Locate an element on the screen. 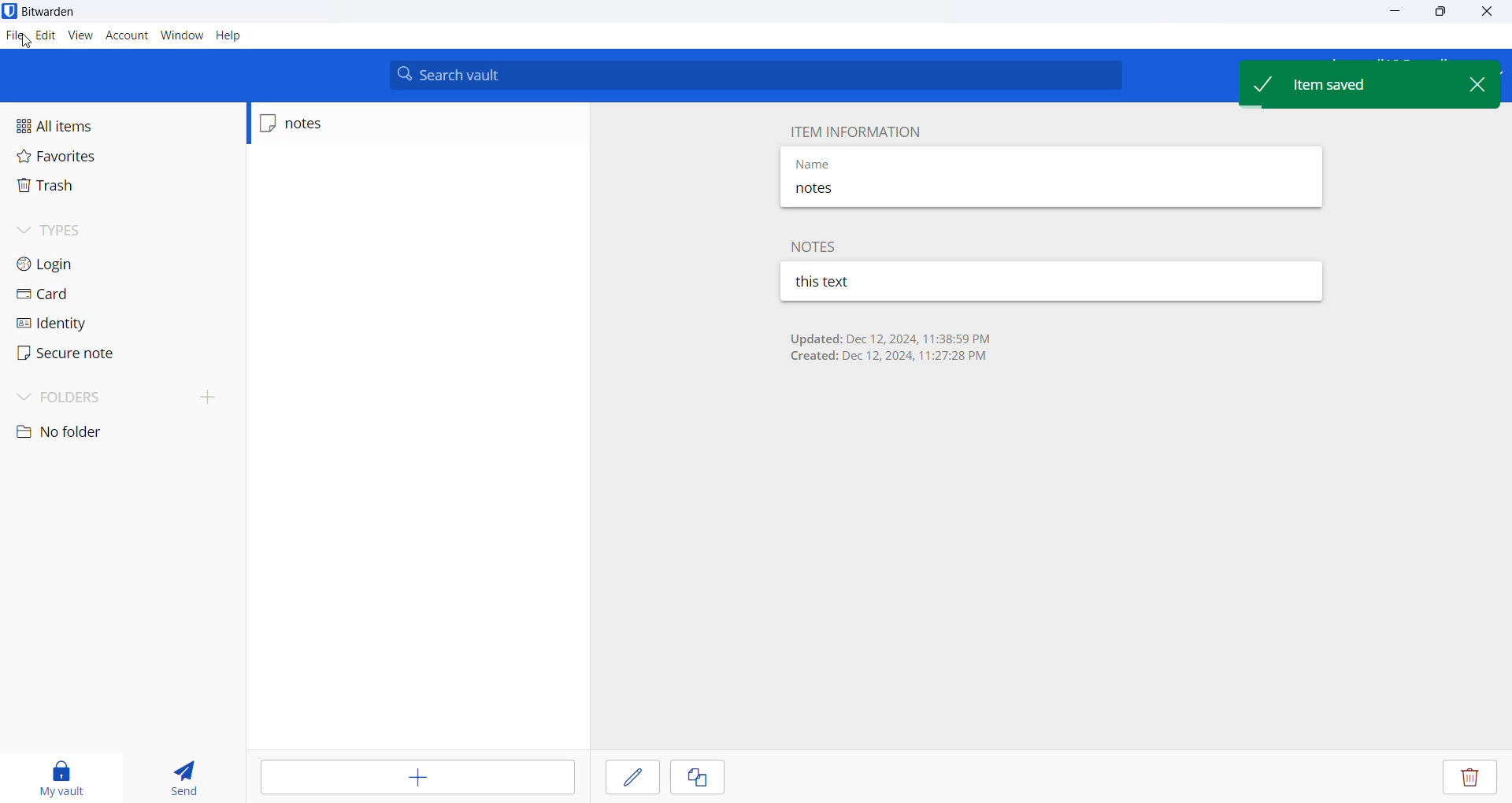 The height and width of the screenshot is (803, 1512). folder is located at coordinates (116, 396).